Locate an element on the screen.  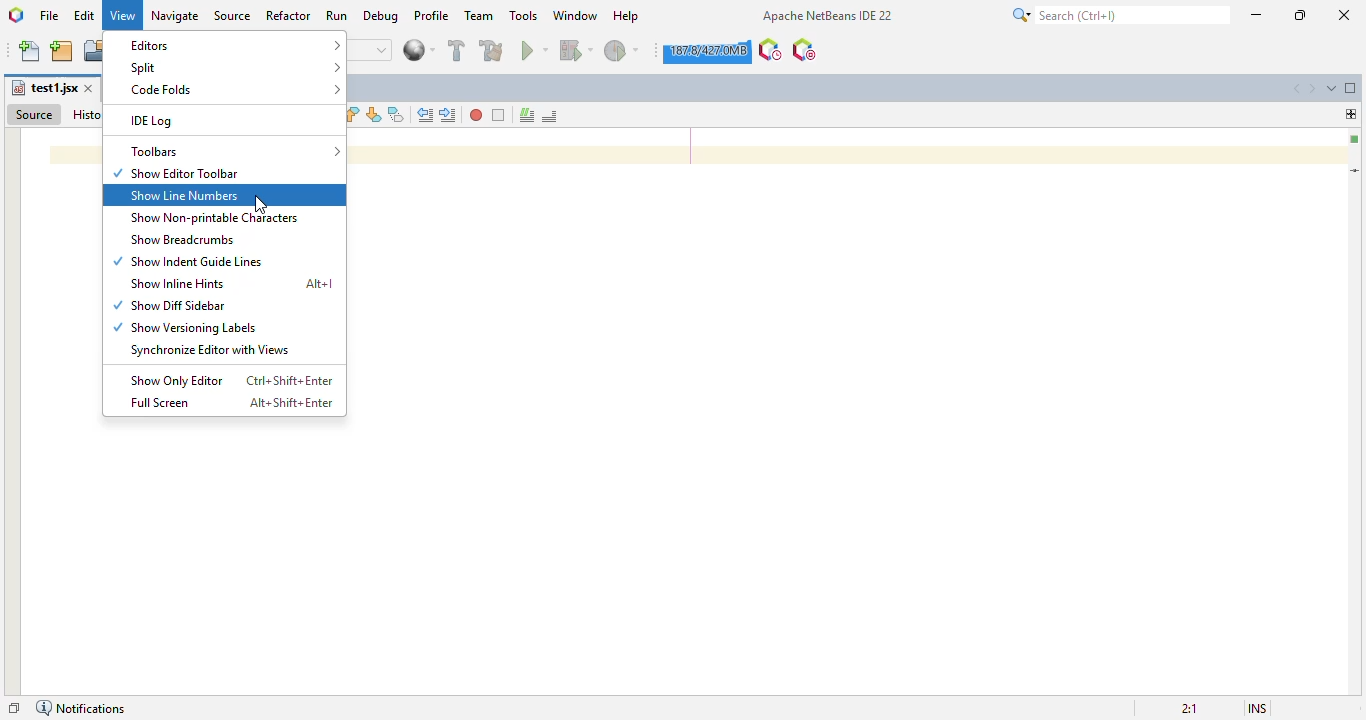
profile project is located at coordinates (623, 51).